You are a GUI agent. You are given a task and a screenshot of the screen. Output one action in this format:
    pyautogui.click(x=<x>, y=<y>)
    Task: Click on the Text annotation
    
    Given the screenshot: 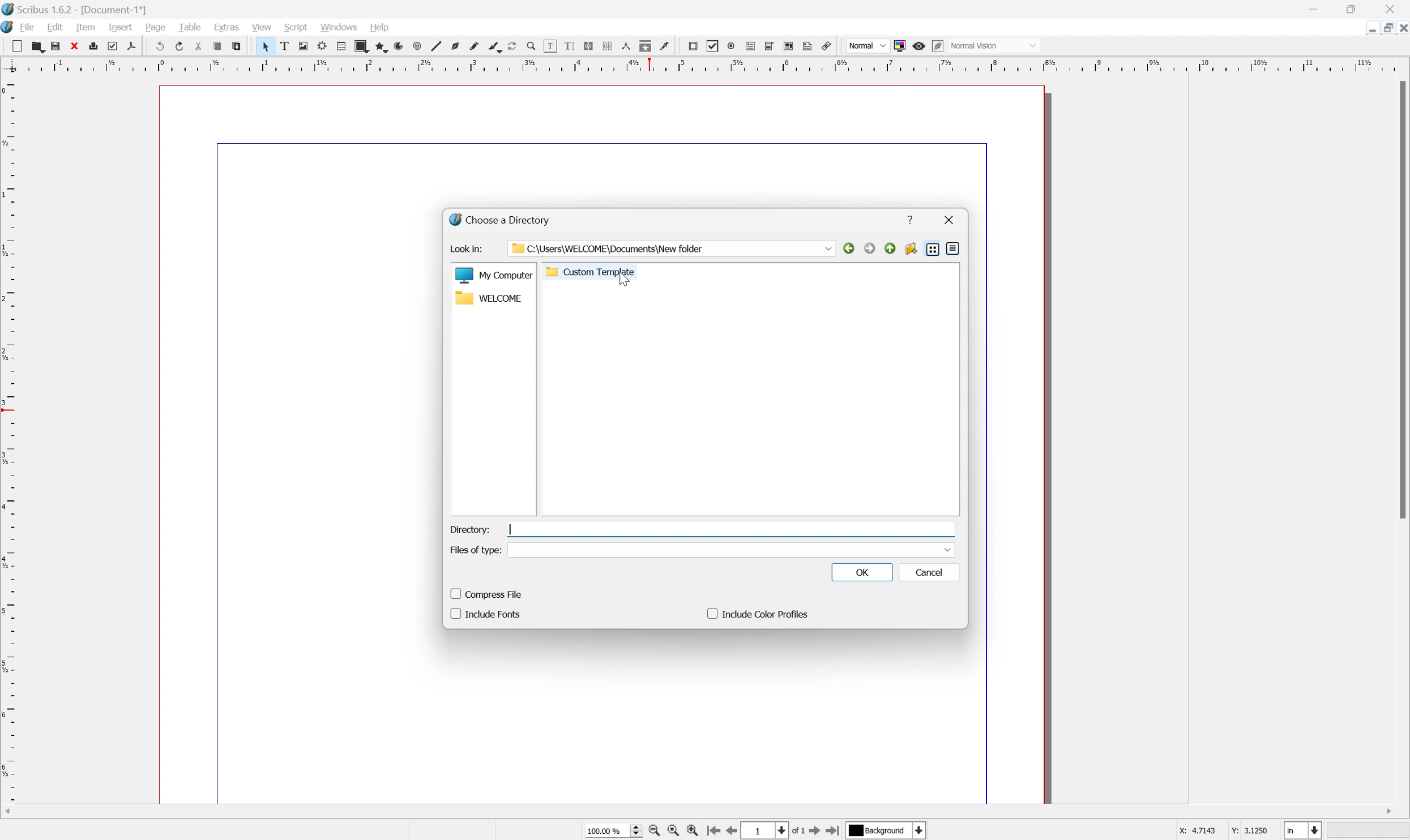 What is the action you would take?
    pyautogui.click(x=807, y=45)
    